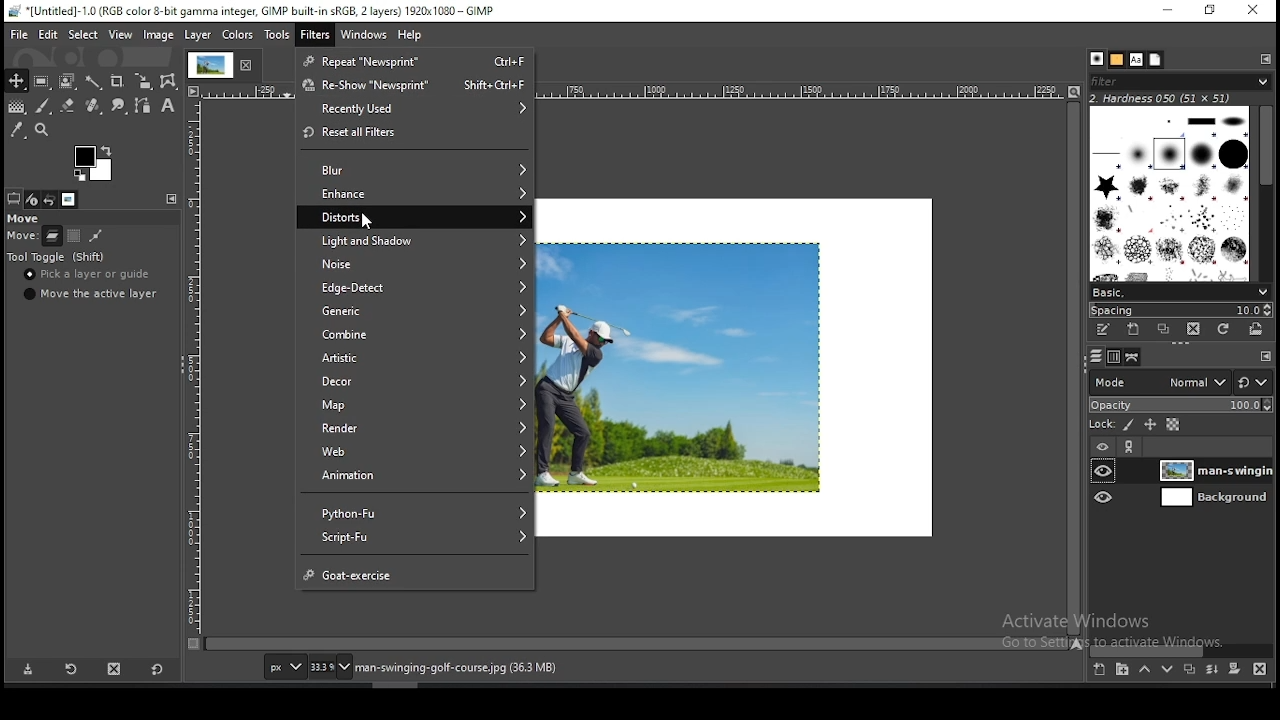  What do you see at coordinates (415, 216) in the screenshot?
I see `distorts` at bounding box center [415, 216].